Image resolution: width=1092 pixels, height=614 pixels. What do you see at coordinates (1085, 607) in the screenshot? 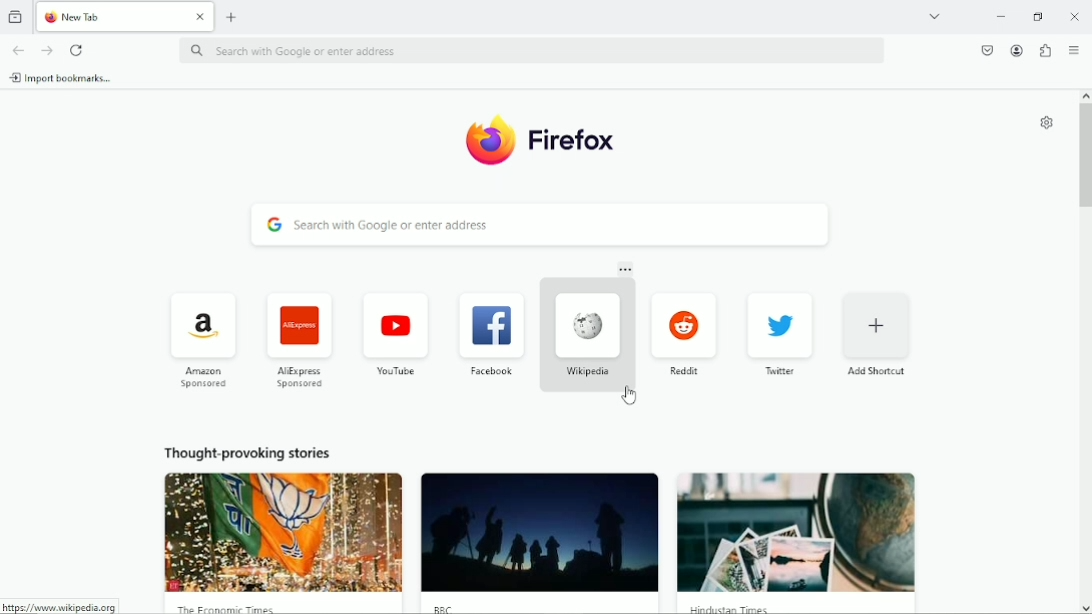
I see `scroll down` at bounding box center [1085, 607].